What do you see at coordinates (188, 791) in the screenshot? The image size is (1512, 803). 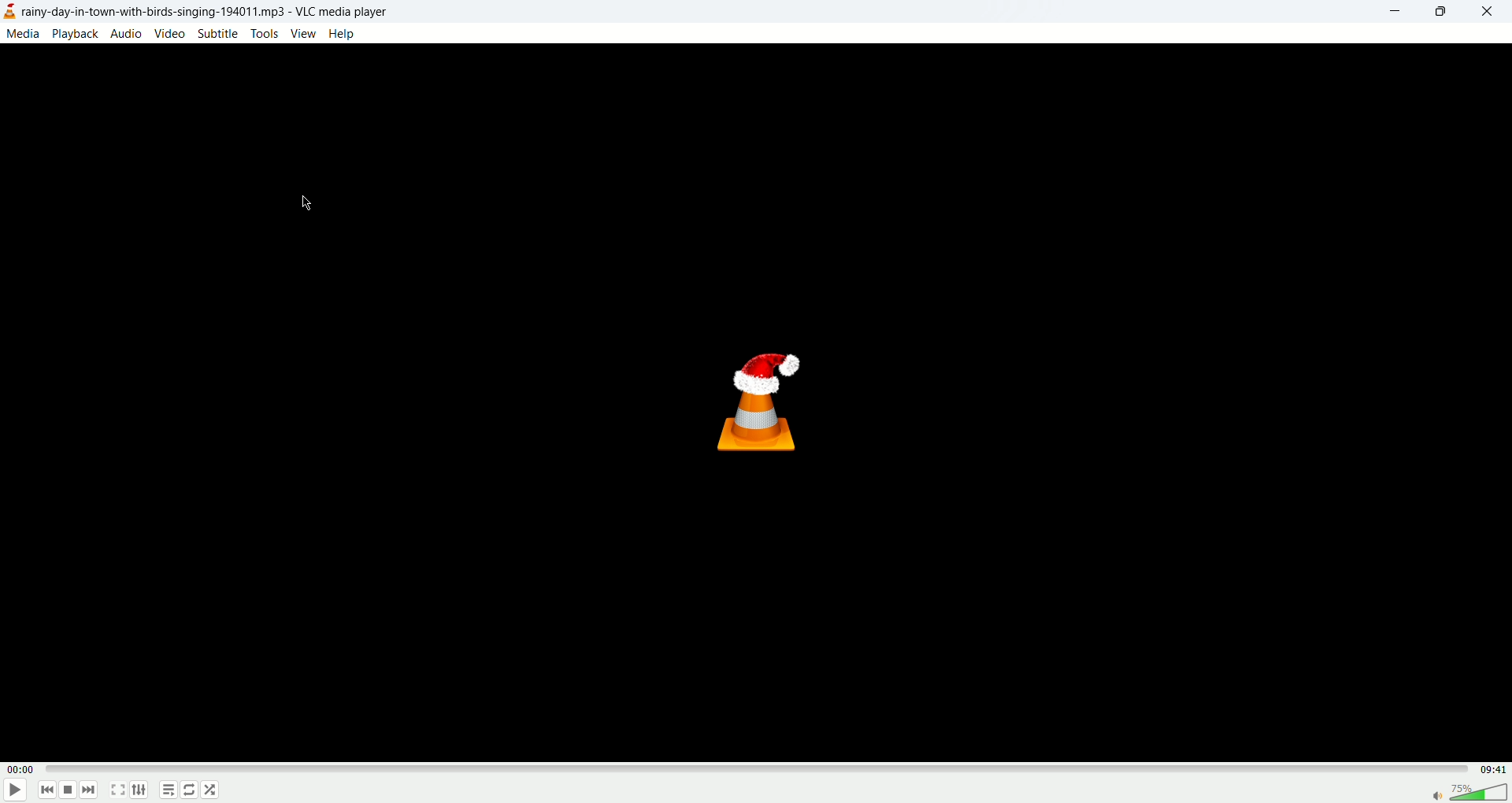 I see `loop` at bounding box center [188, 791].